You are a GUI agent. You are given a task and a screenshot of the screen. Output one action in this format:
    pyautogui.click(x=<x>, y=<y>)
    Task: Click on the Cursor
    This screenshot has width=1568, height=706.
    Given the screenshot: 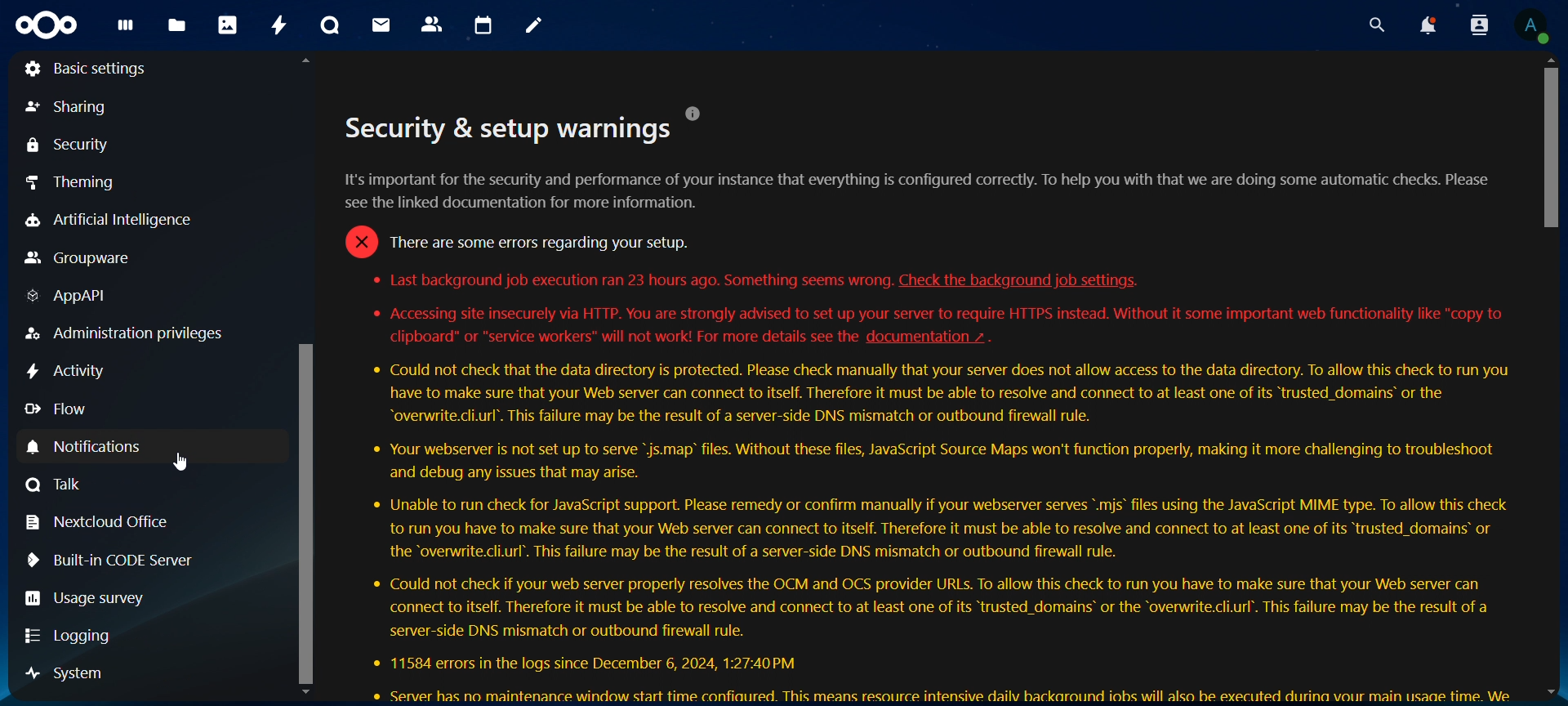 What is the action you would take?
    pyautogui.click(x=184, y=462)
    